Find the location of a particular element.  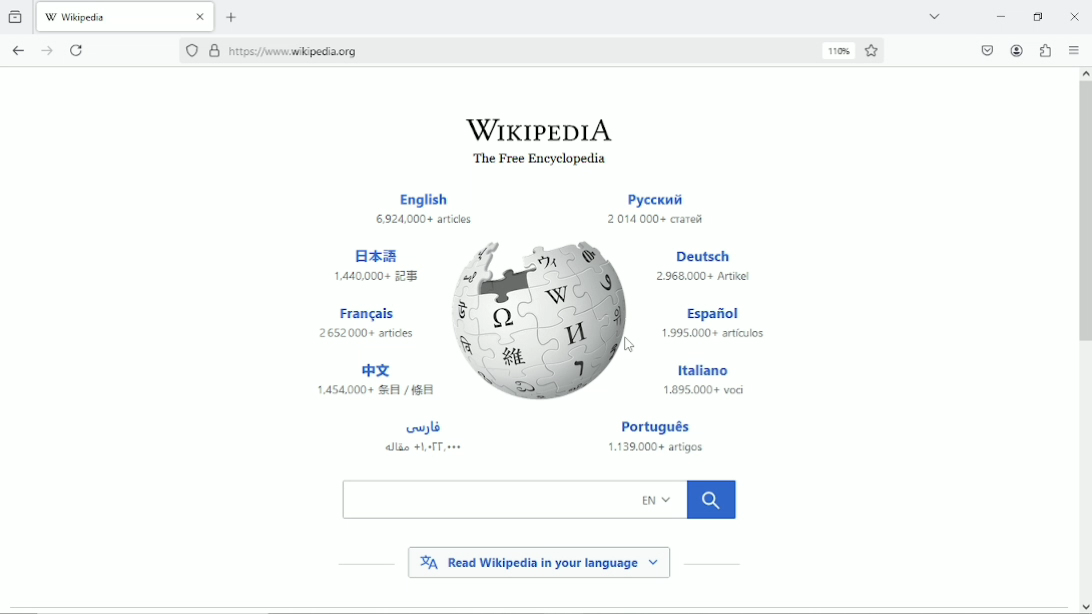

link is located at coordinates (296, 51).